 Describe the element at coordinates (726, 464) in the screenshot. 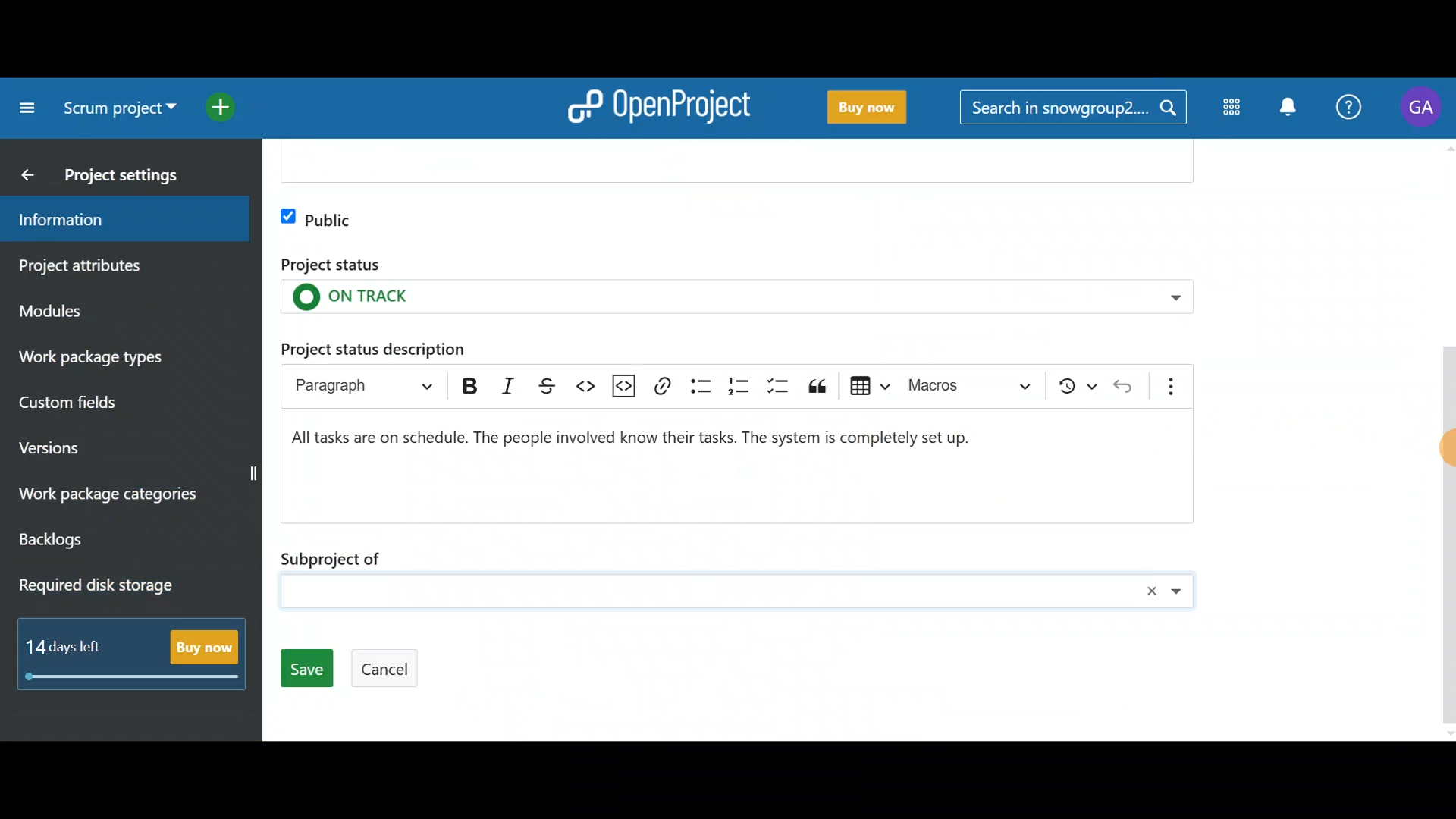

I see `Project status description` at that location.